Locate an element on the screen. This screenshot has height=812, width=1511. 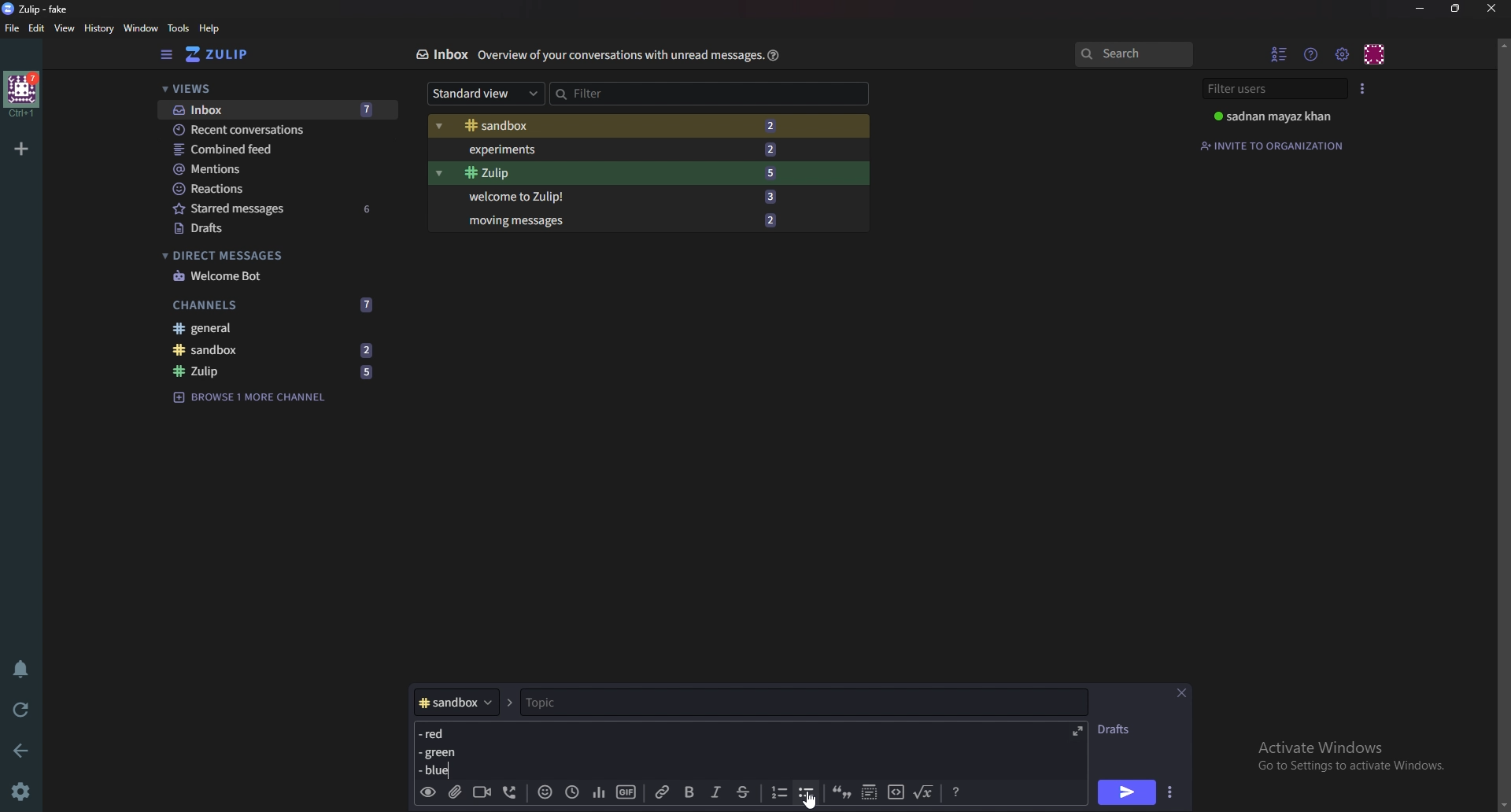
Message is located at coordinates (445, 753).